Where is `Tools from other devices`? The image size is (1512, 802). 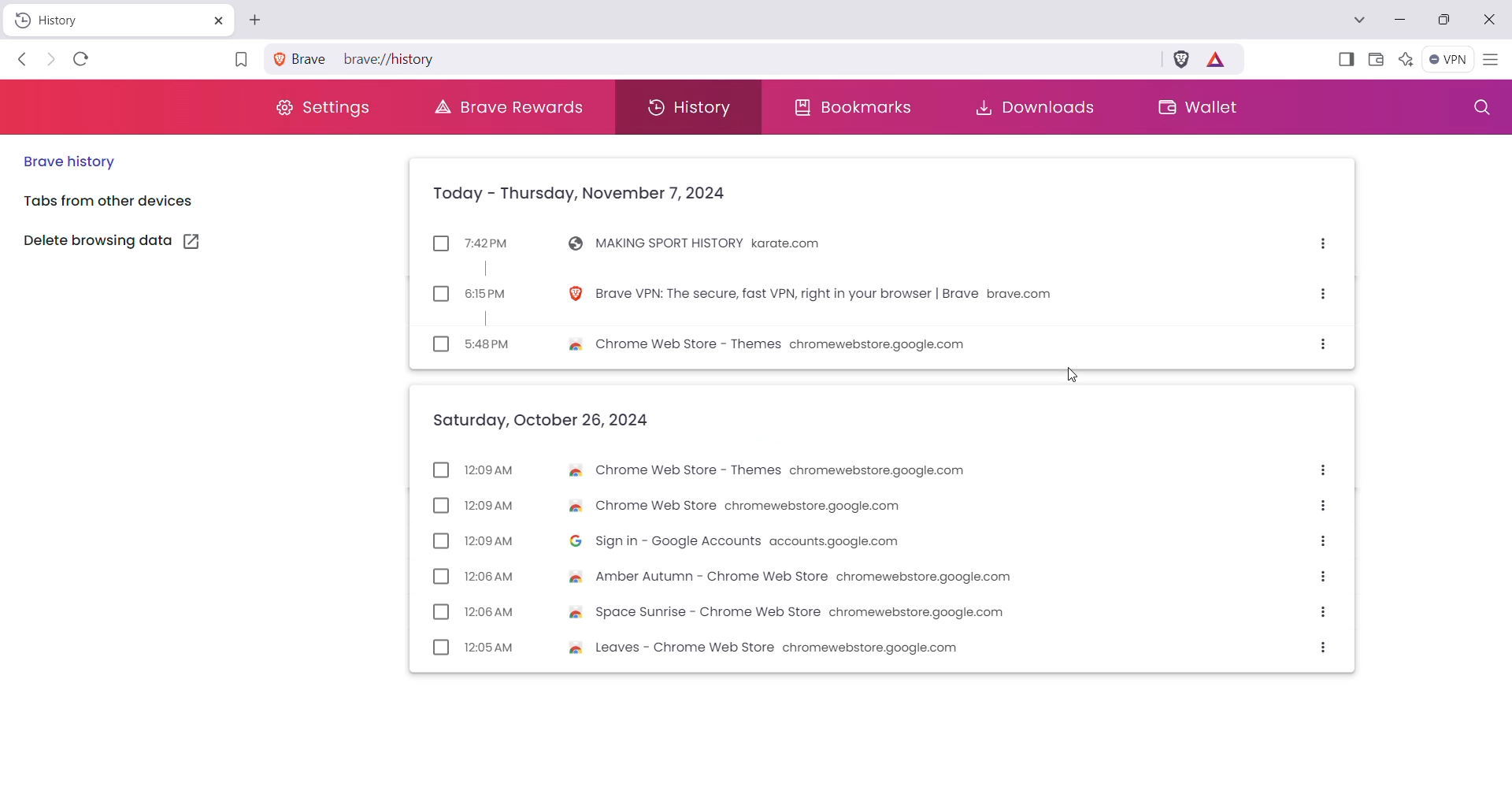
Tools from other devices is located at coordinates (124, 202).